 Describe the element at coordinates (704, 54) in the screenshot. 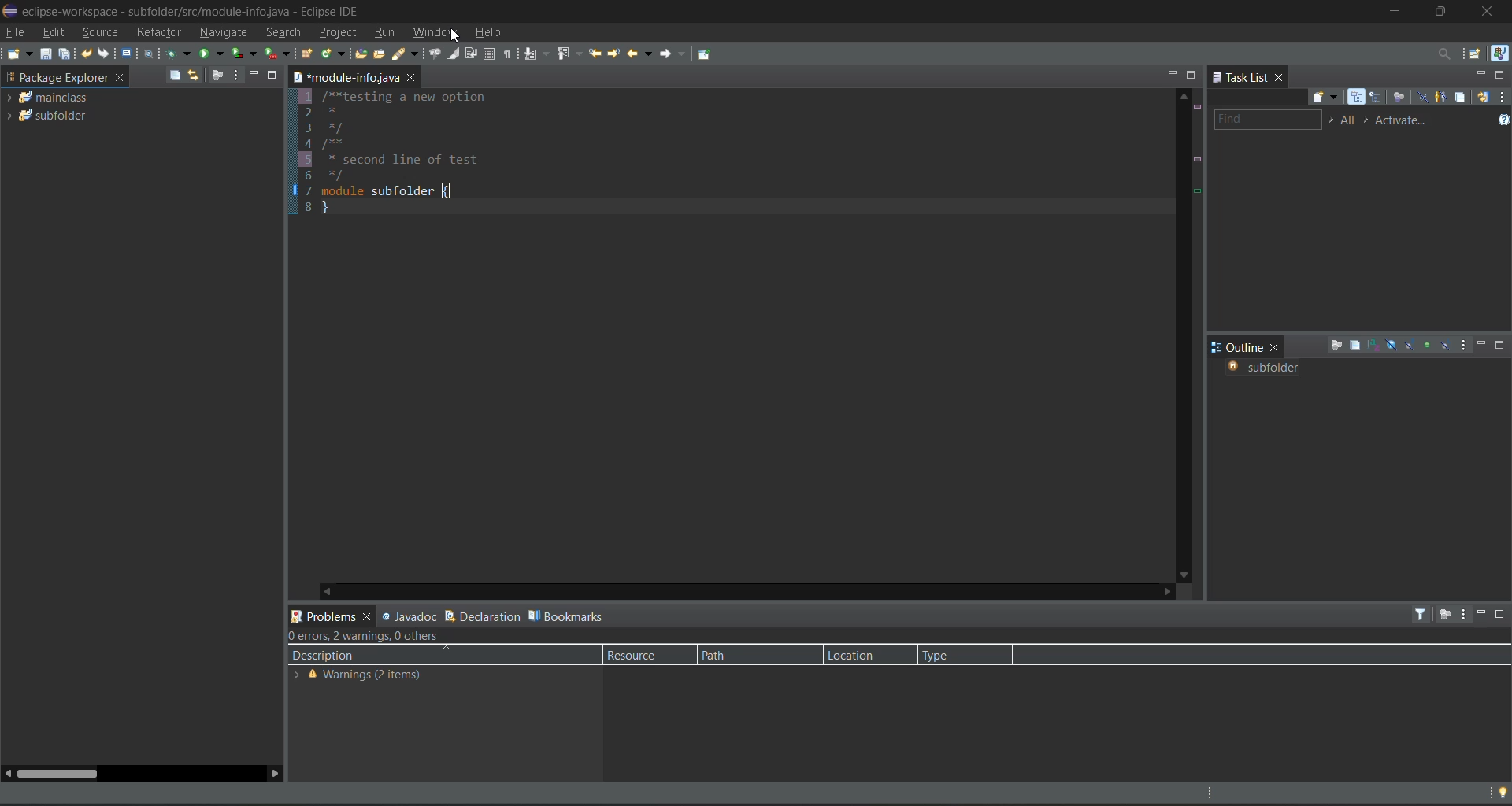

I see `pin editor` at that location.